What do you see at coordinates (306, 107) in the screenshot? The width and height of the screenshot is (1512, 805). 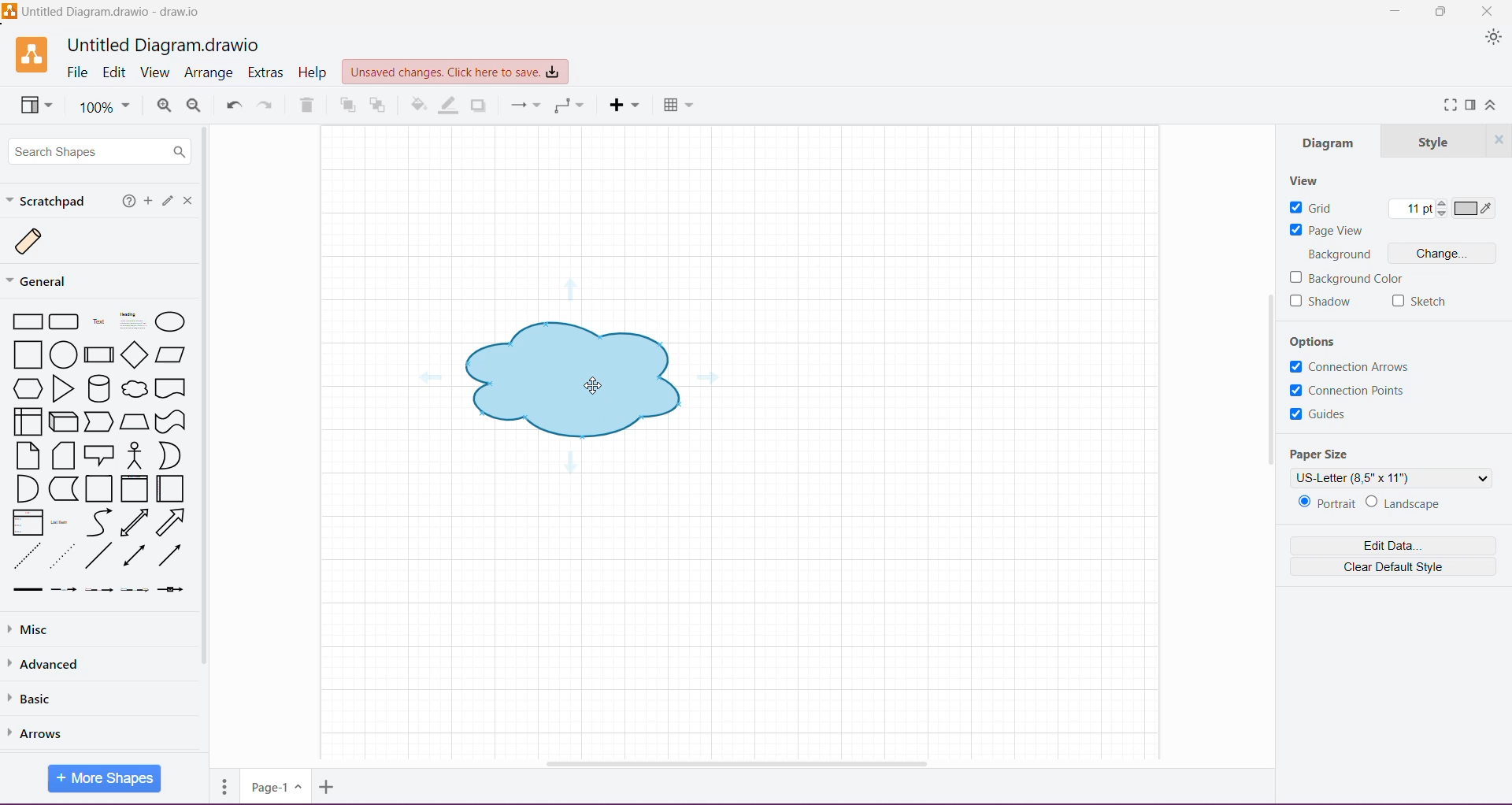 I see `Trash` at bounding box center [306, 107].